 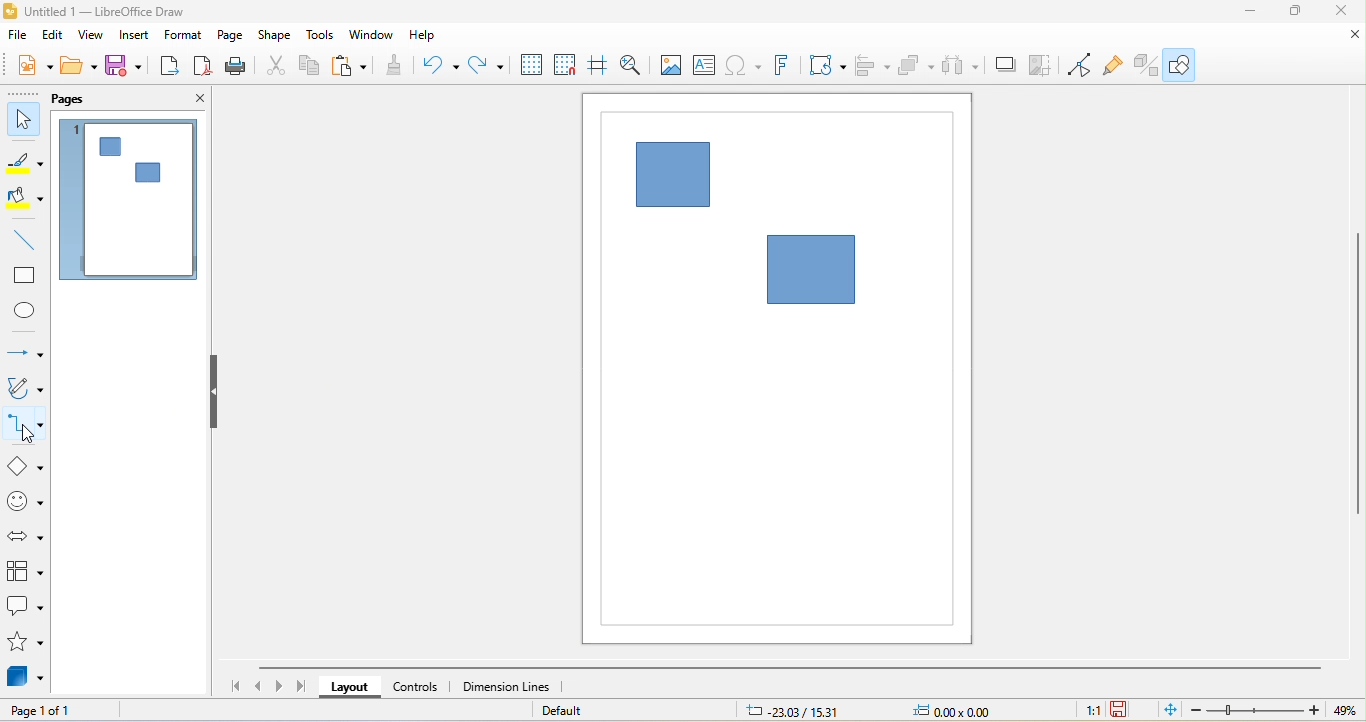 What do you see at coordinates (788, 670) in the screenshot?
I see `horizontal scroll bar` at bounding box center [788, 670].